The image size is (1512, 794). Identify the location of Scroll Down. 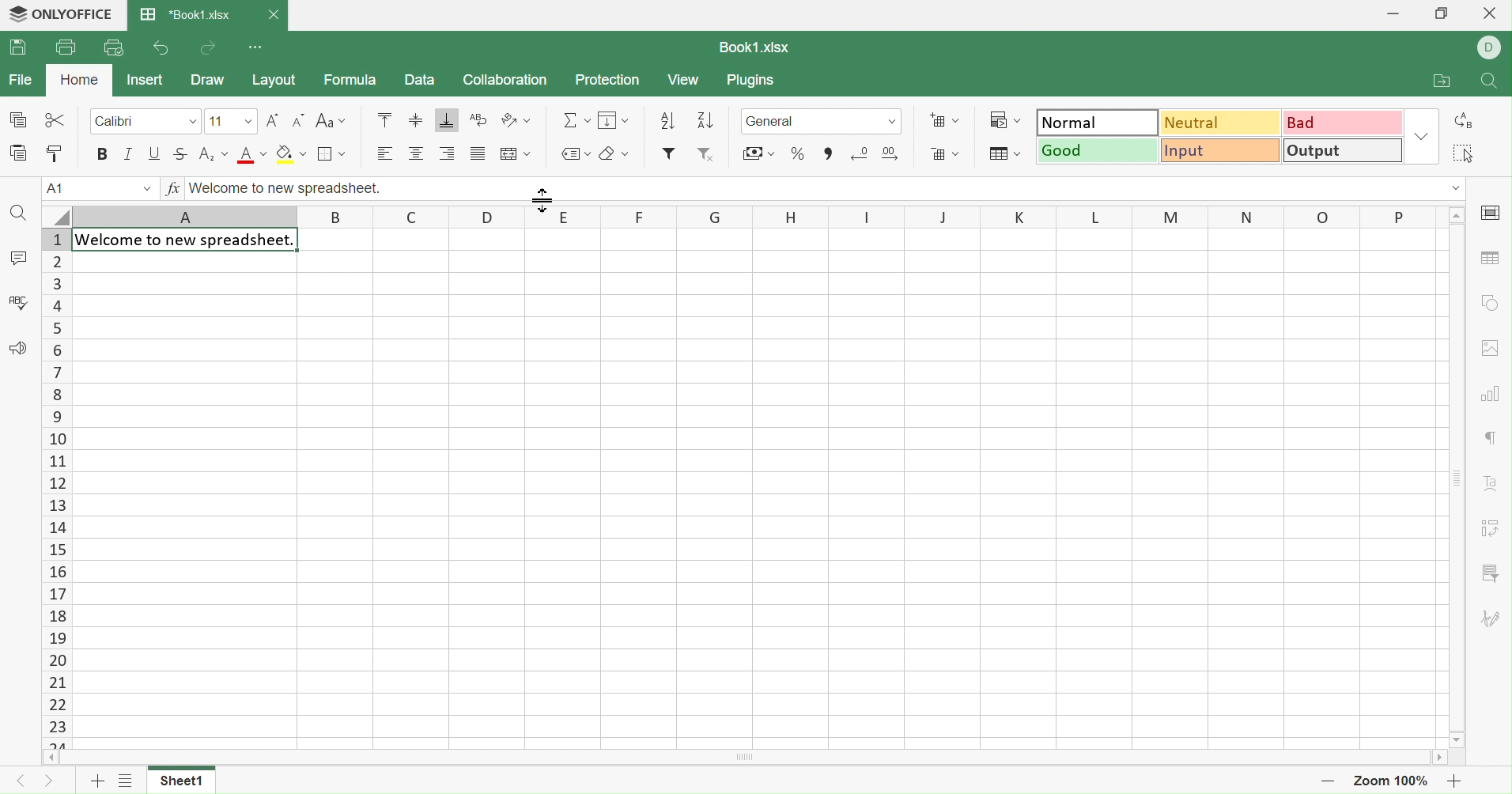
(1458, 738).